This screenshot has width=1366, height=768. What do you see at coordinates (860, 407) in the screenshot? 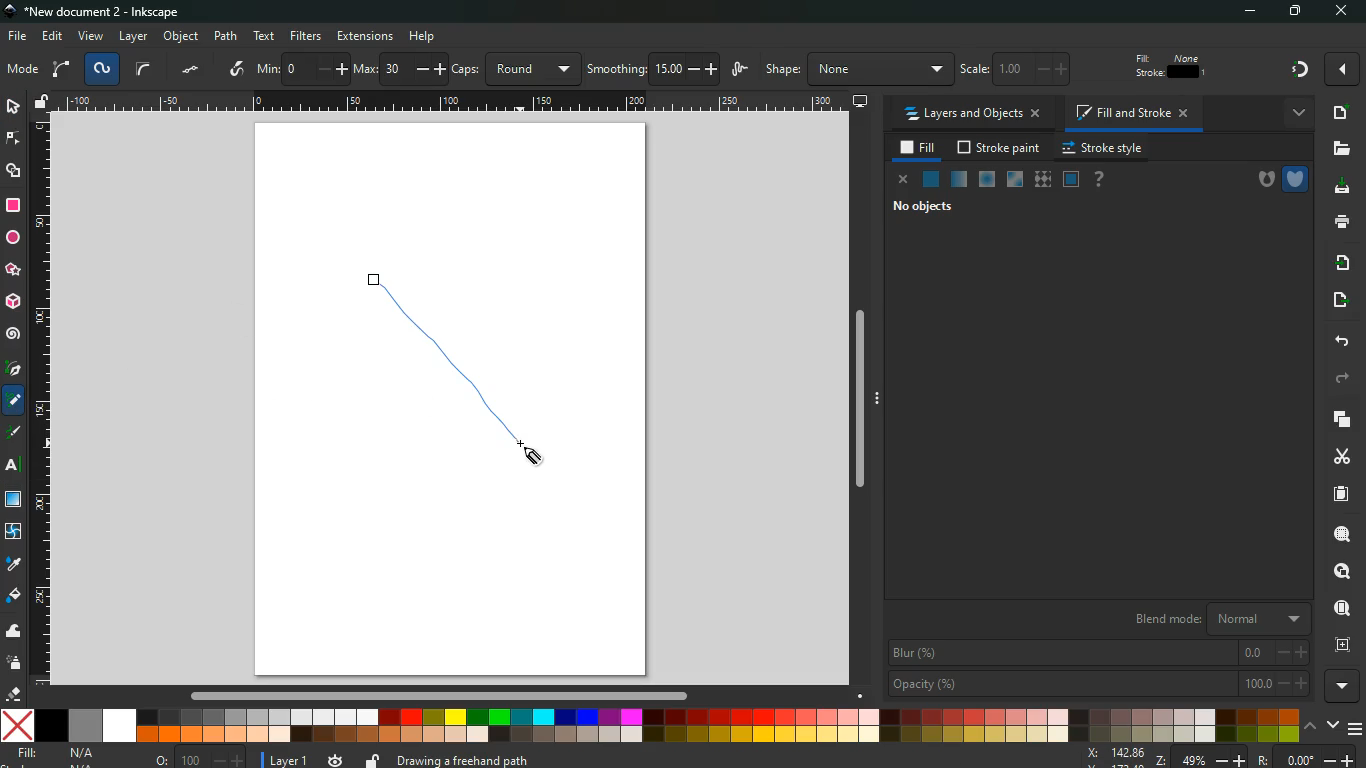
I see `` at bounding box center [860, 407].